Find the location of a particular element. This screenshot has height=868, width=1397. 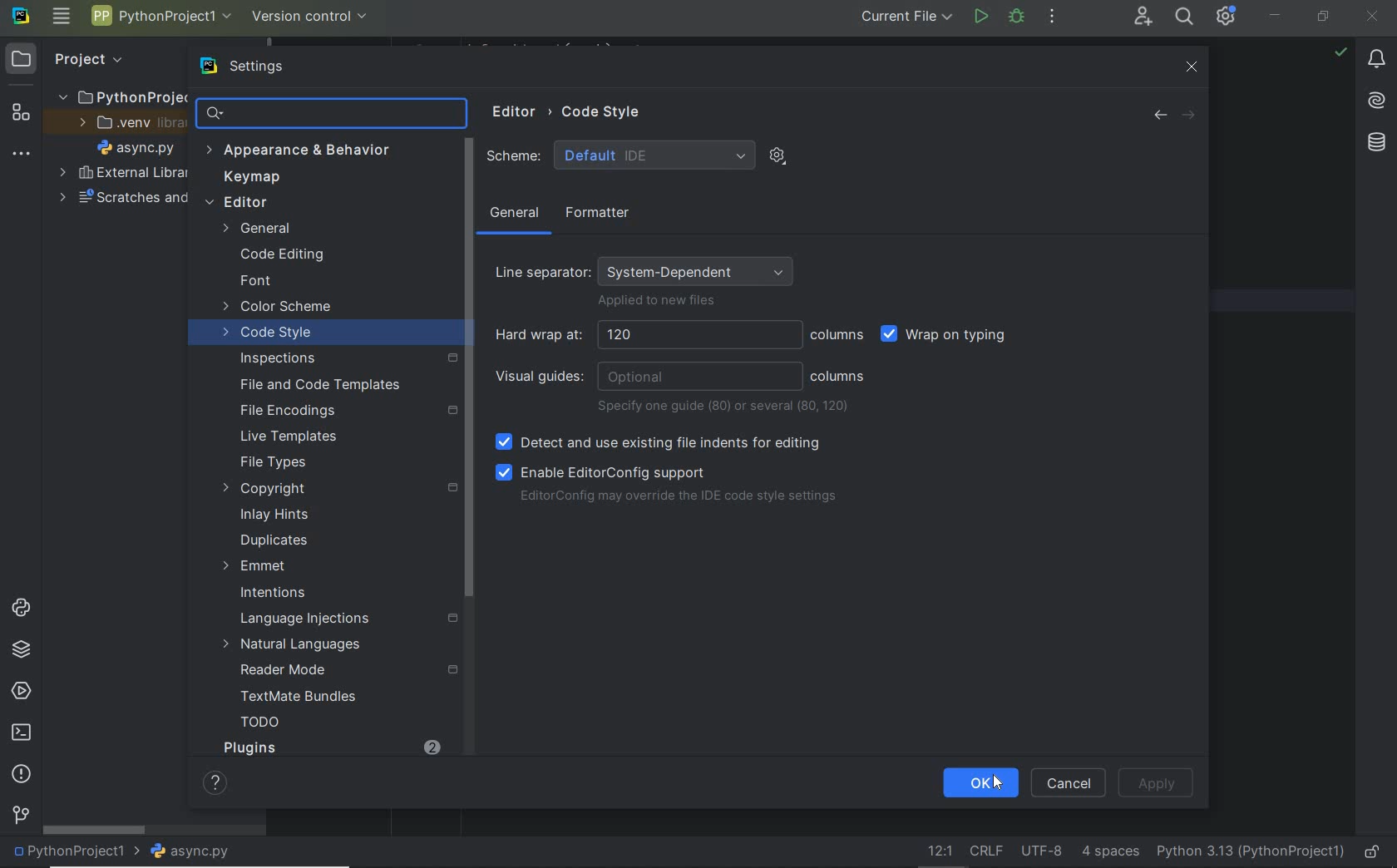

keymap is located at coordinates (254, 179).